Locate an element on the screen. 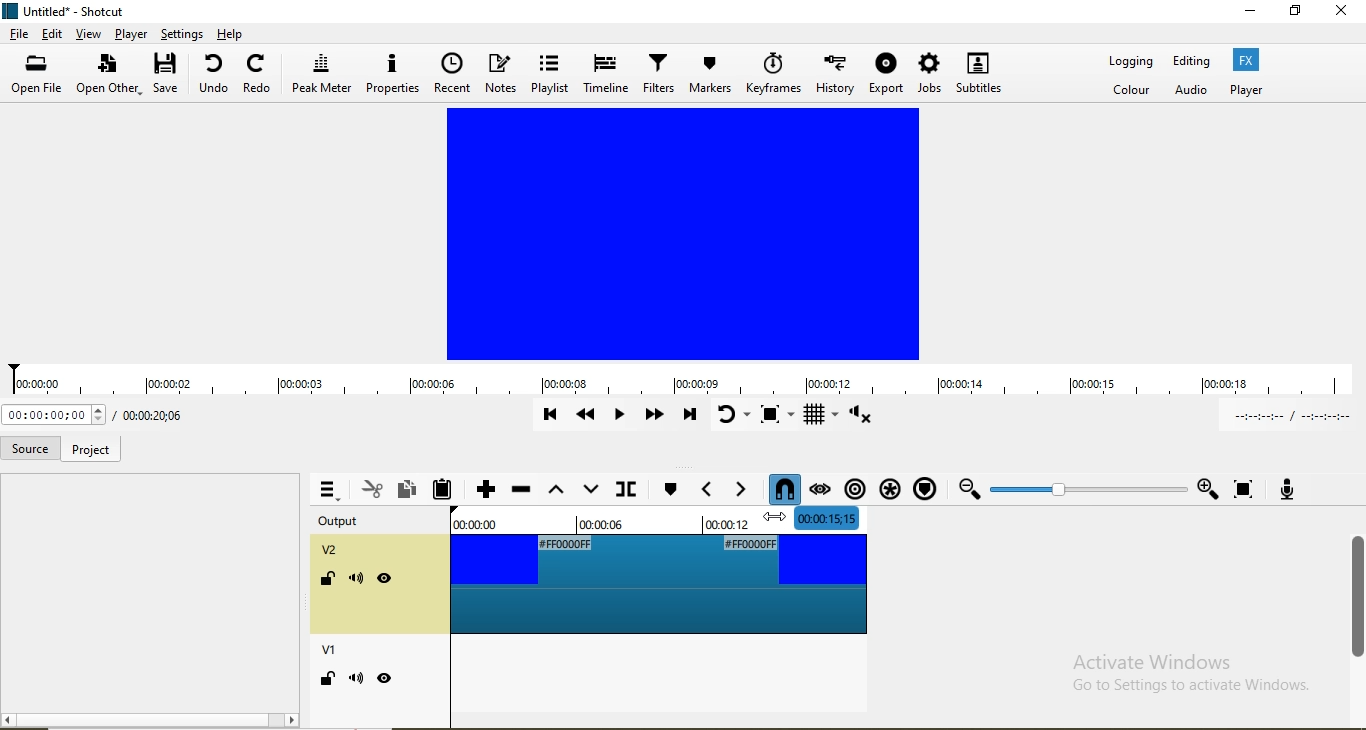 The image size is (1366, 730). hide is located at coordinates (386, 678).